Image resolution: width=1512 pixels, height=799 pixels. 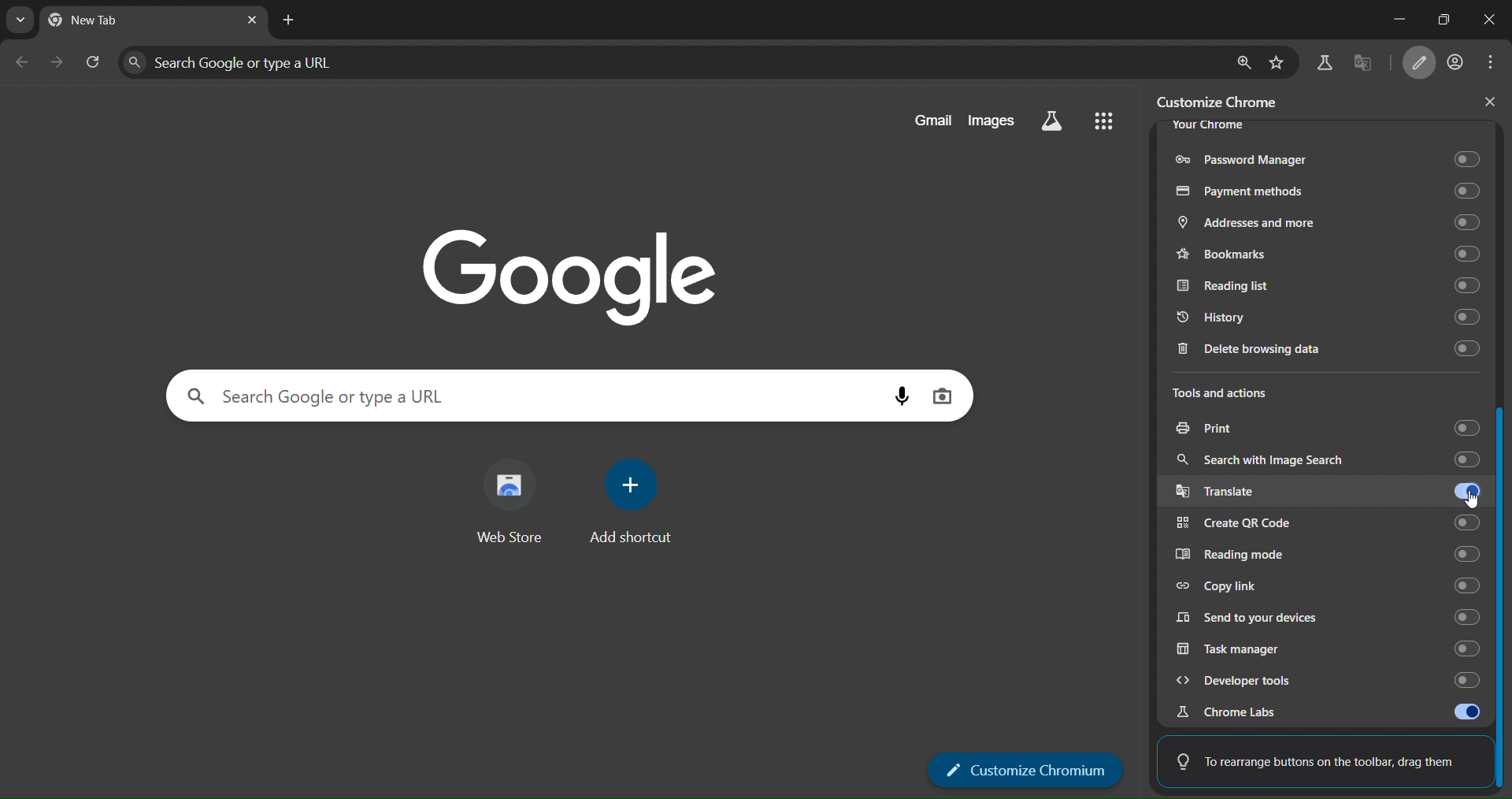 What do you see at coordinates (1223, 99) in the screenshot?
I see `customize chrome` at bounding box center [1223, 99].